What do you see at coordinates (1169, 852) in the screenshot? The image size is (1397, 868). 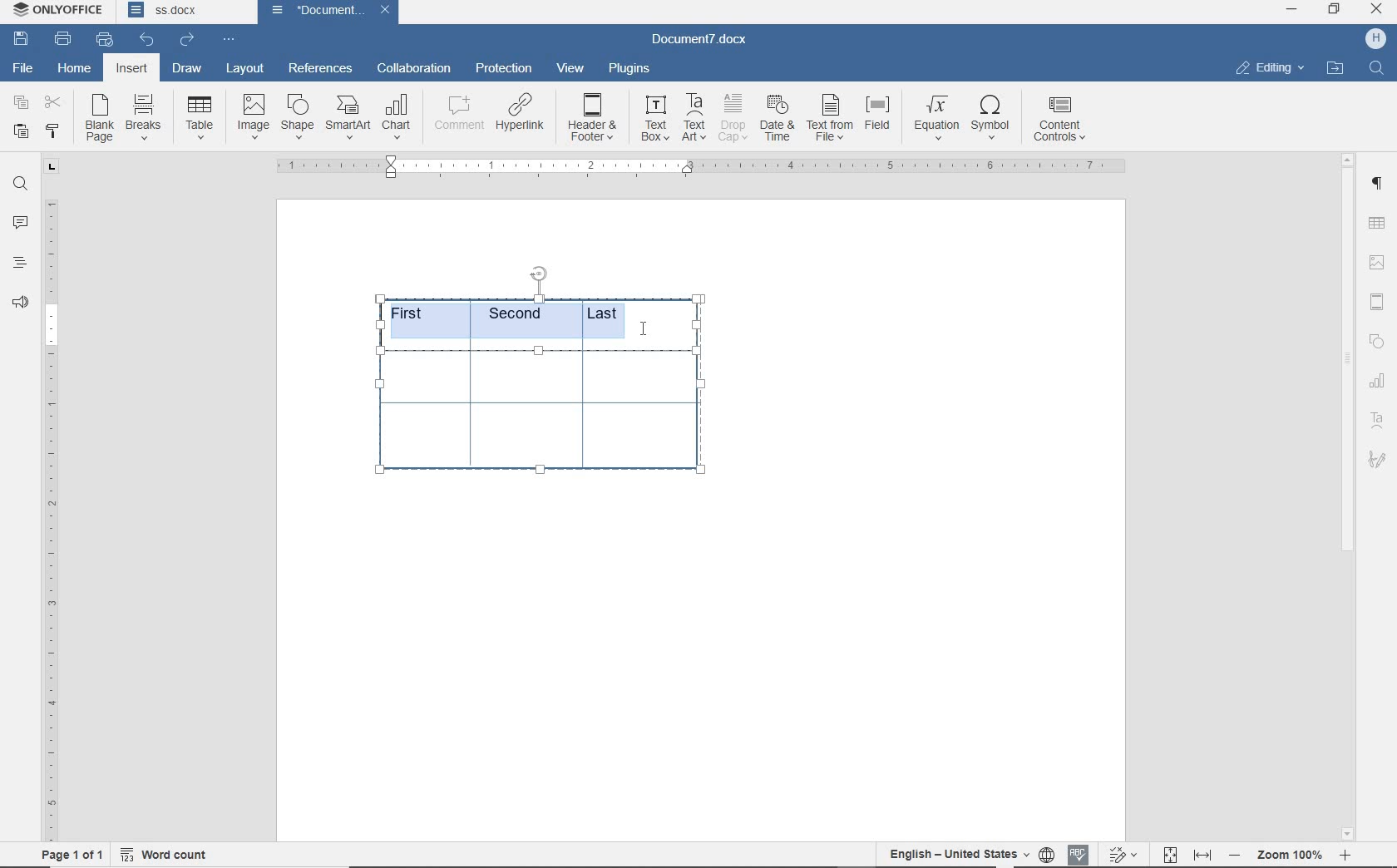 I see `fit to page` at bounding box center [1169, 852].